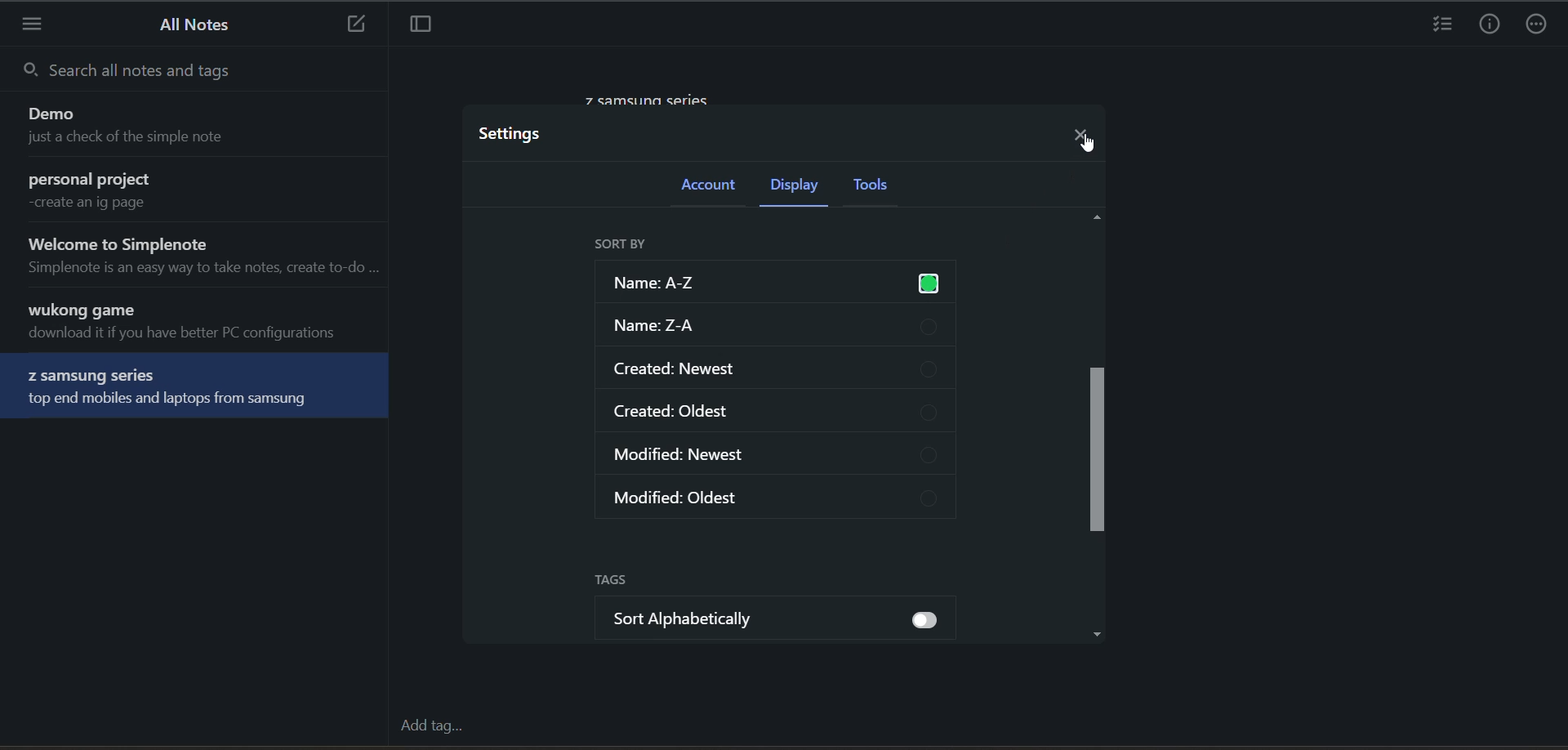 The image size is (1568, 750). Describe the element at coordinates (1440, 25) in the screenshot. I see `insert checklist` at that location.